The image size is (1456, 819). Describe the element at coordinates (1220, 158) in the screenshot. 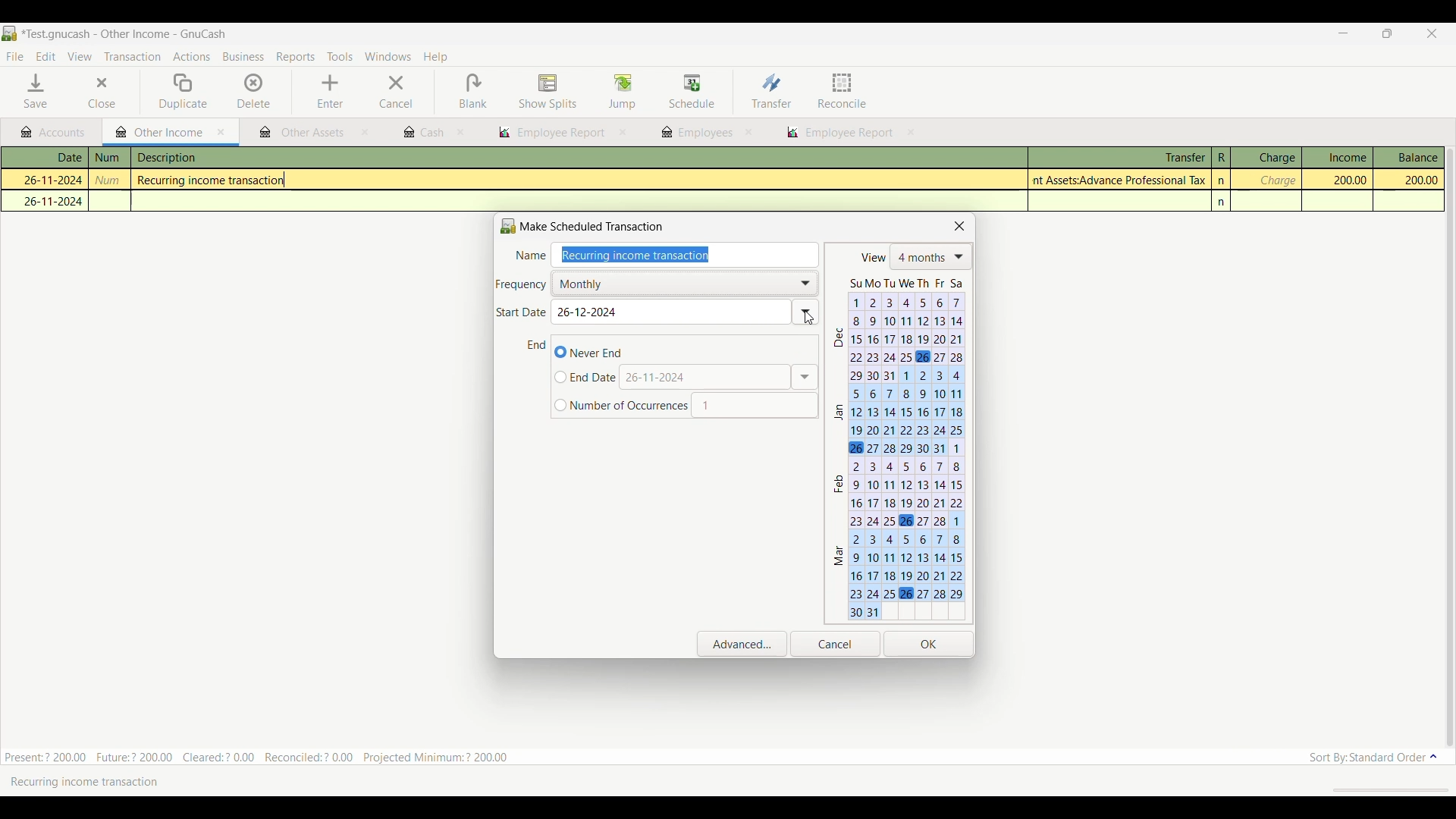

I see `R column` at that location.